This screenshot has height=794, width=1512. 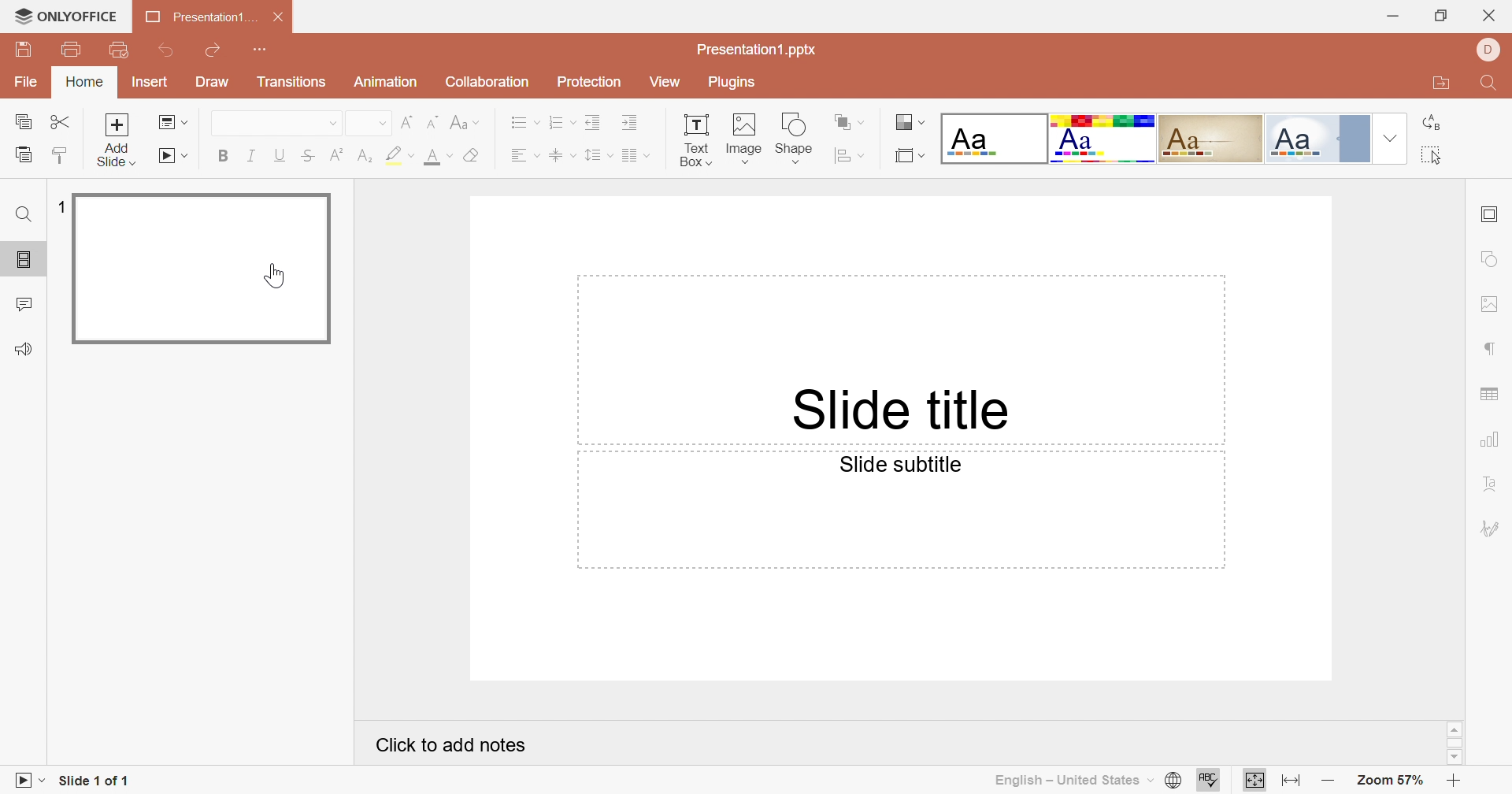 I want to click on Select slide size, so click(x=903, y=155).